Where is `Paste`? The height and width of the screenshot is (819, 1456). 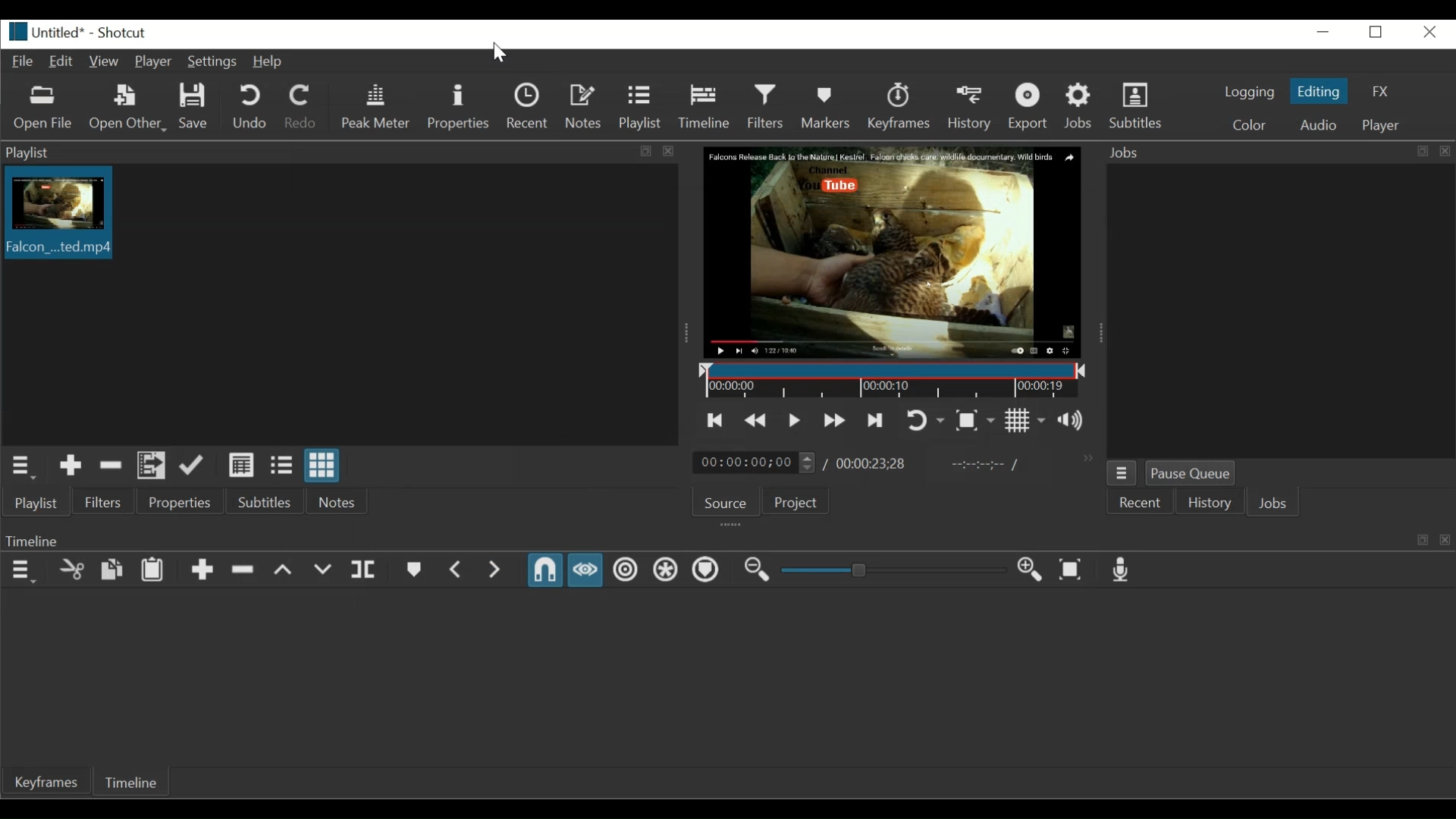
Paste is located at coordinates (154, 570).